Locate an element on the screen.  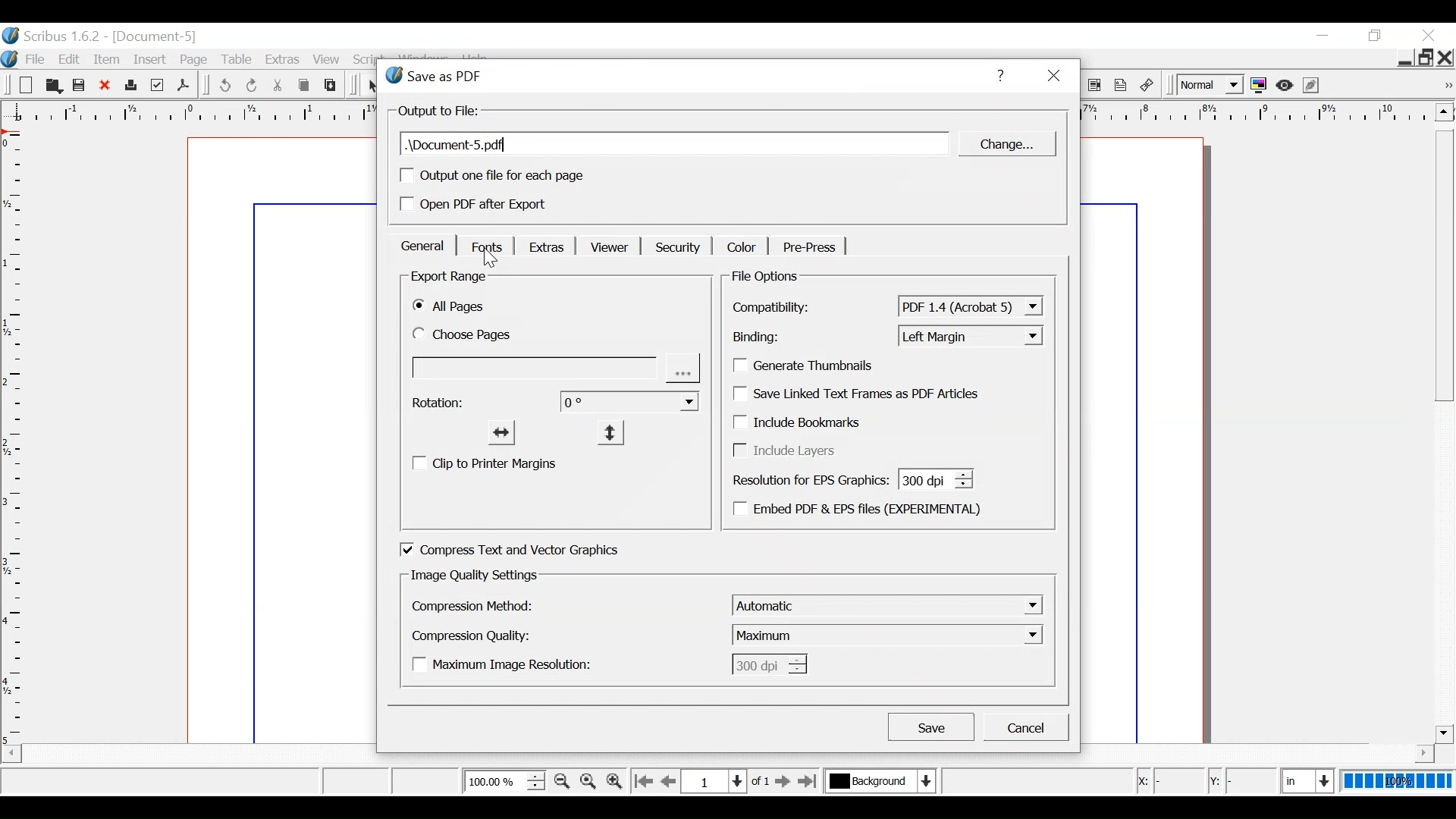
Binding is located at coordinates (777, 337).